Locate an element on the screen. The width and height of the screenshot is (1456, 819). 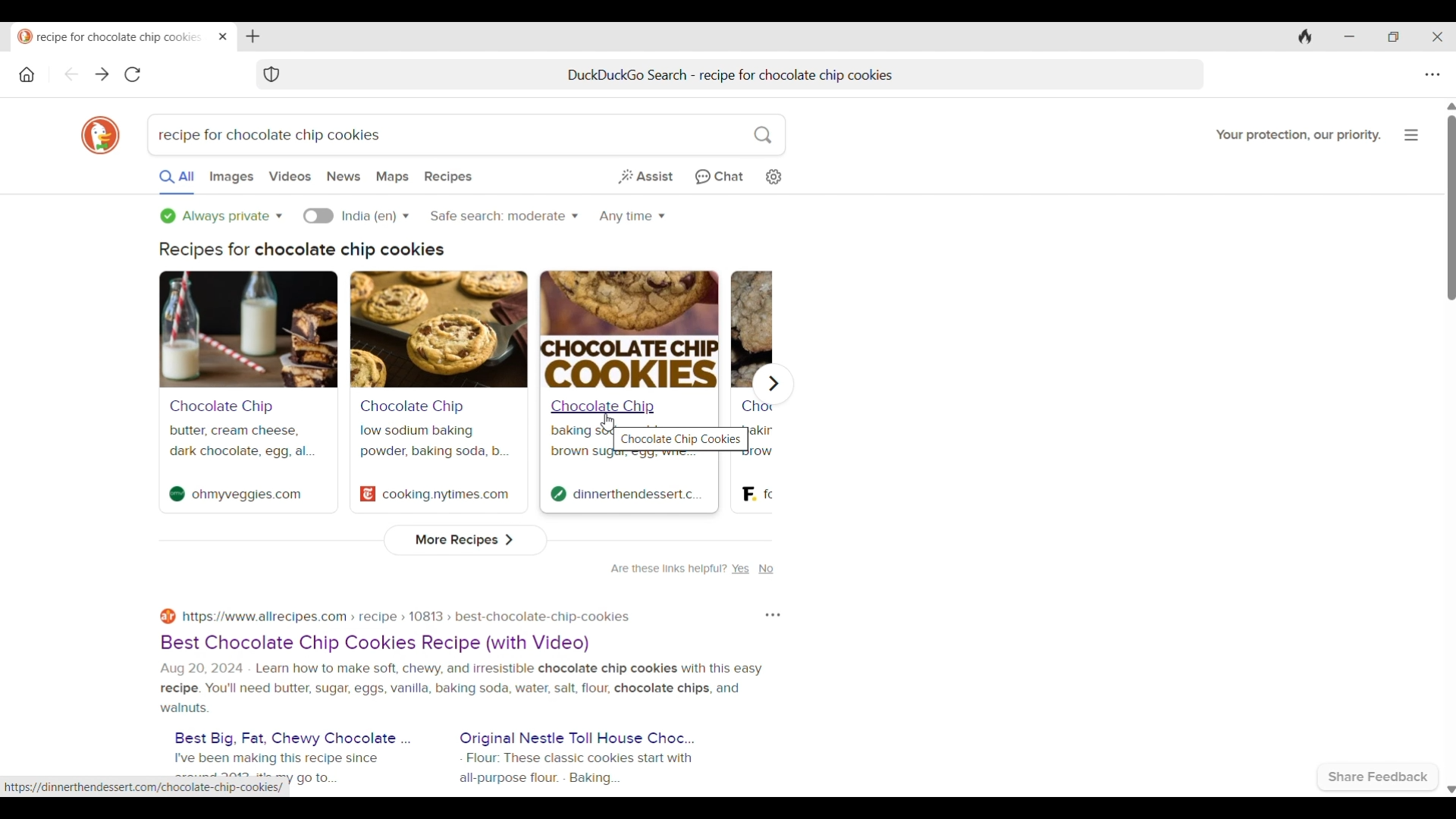
Language options is located at coordinates (376, 216).